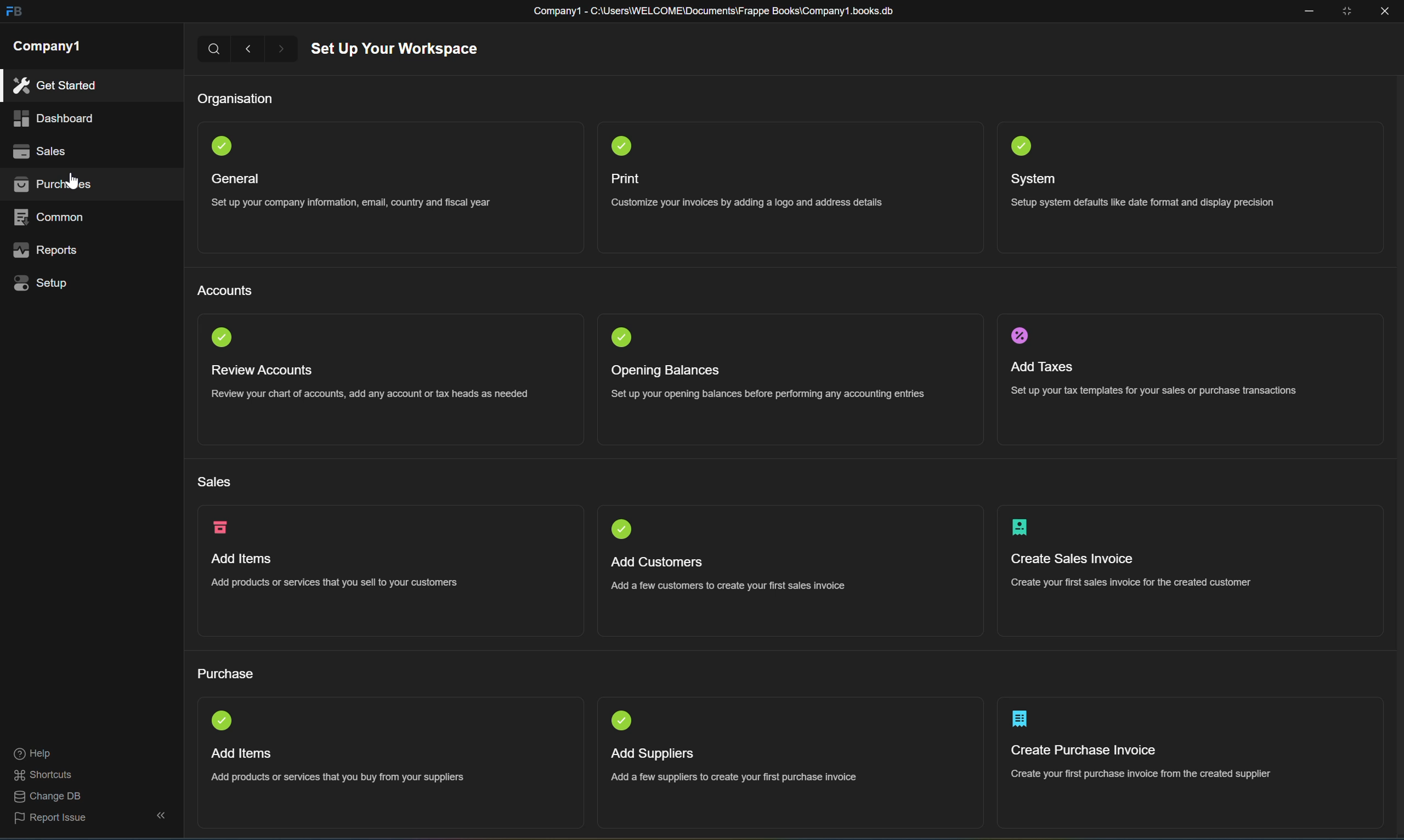 The height and width of the screenshot is (840, 1404). I want to click on logo, so click(223, 720).